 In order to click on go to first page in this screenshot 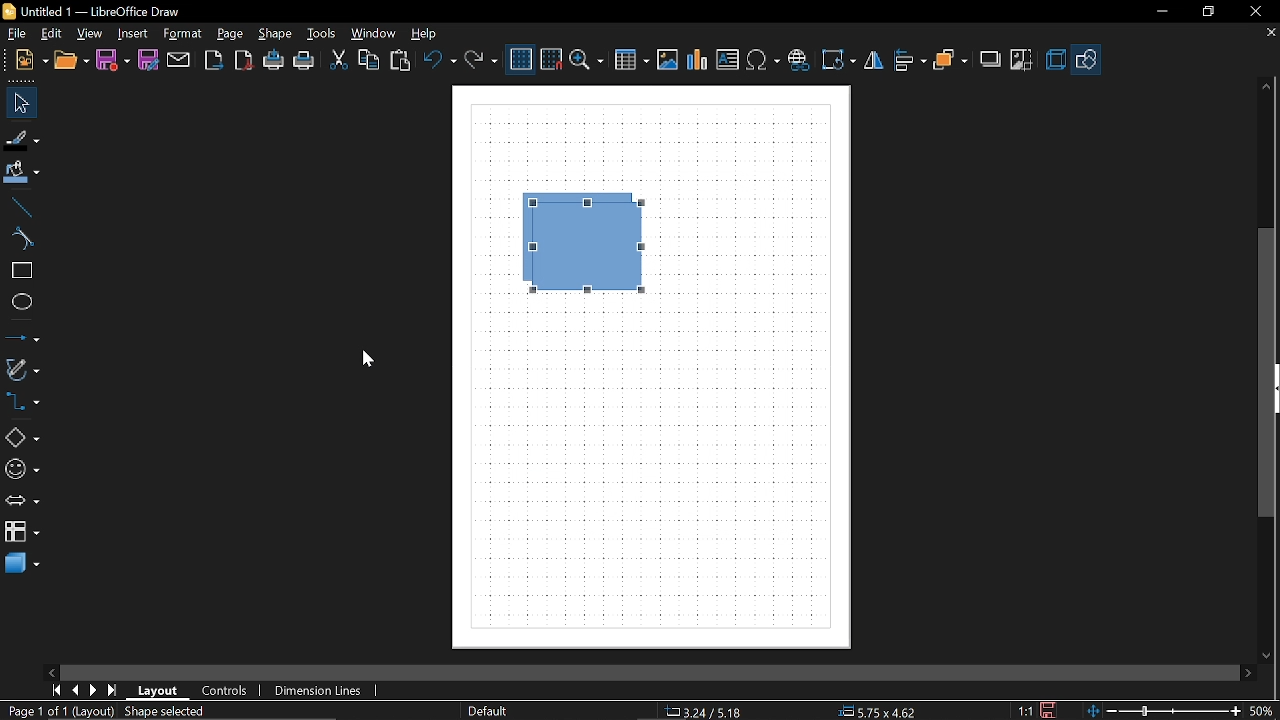, I will do `click(56, 690)`.